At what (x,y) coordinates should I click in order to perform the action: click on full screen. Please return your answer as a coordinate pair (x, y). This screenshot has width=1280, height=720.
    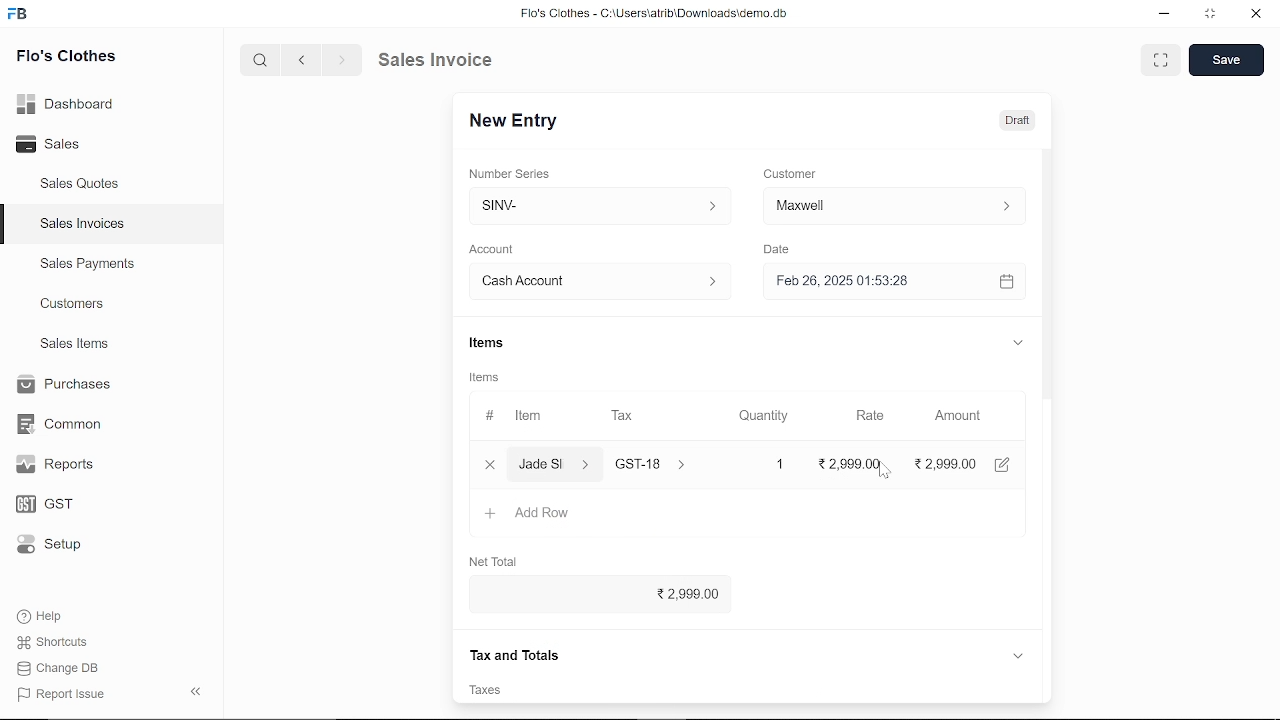
    Looking at the image, I should click on (1160, 60).